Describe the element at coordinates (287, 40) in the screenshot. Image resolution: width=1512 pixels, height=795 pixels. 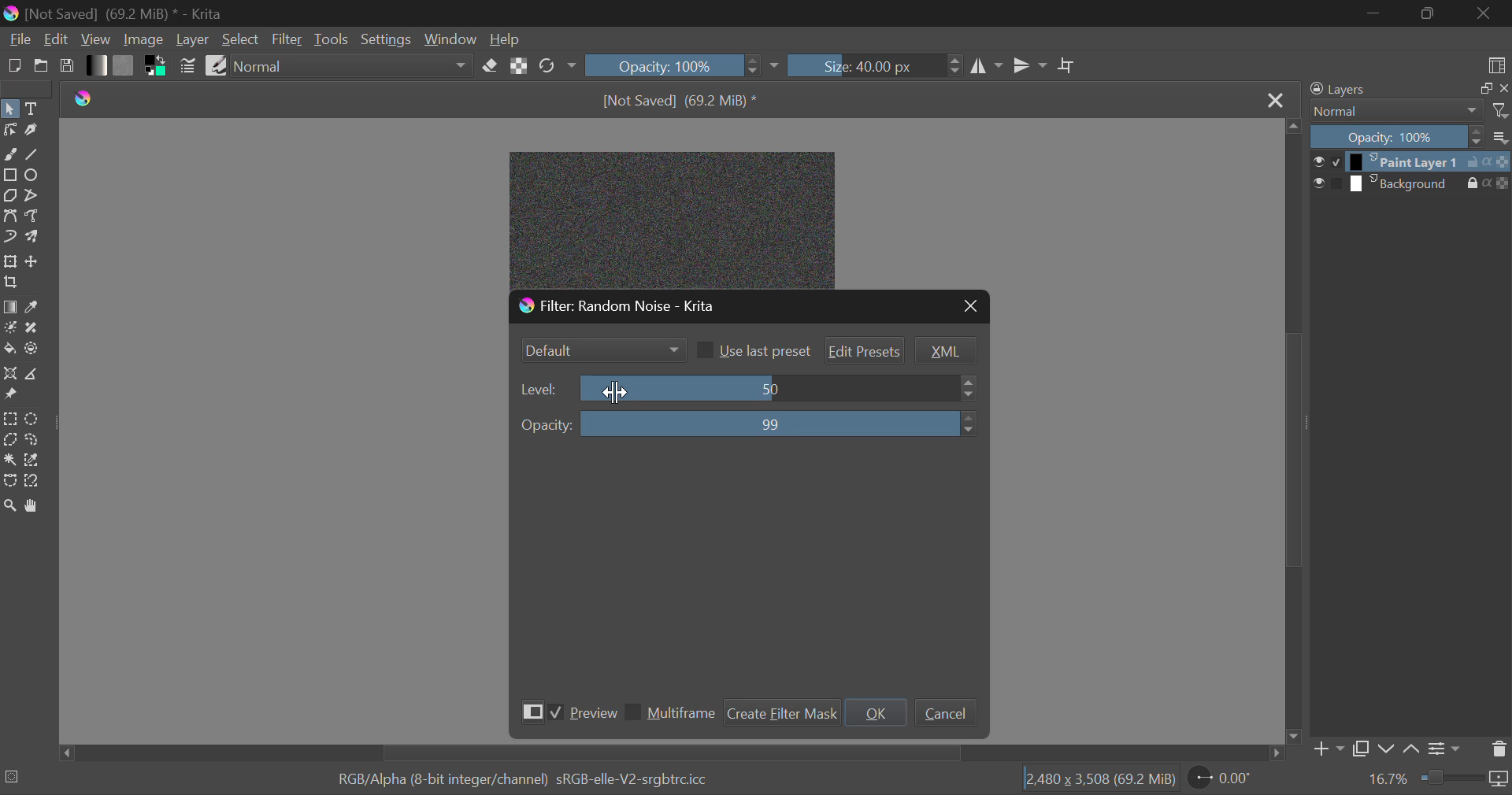
I see `Filter` at that location.